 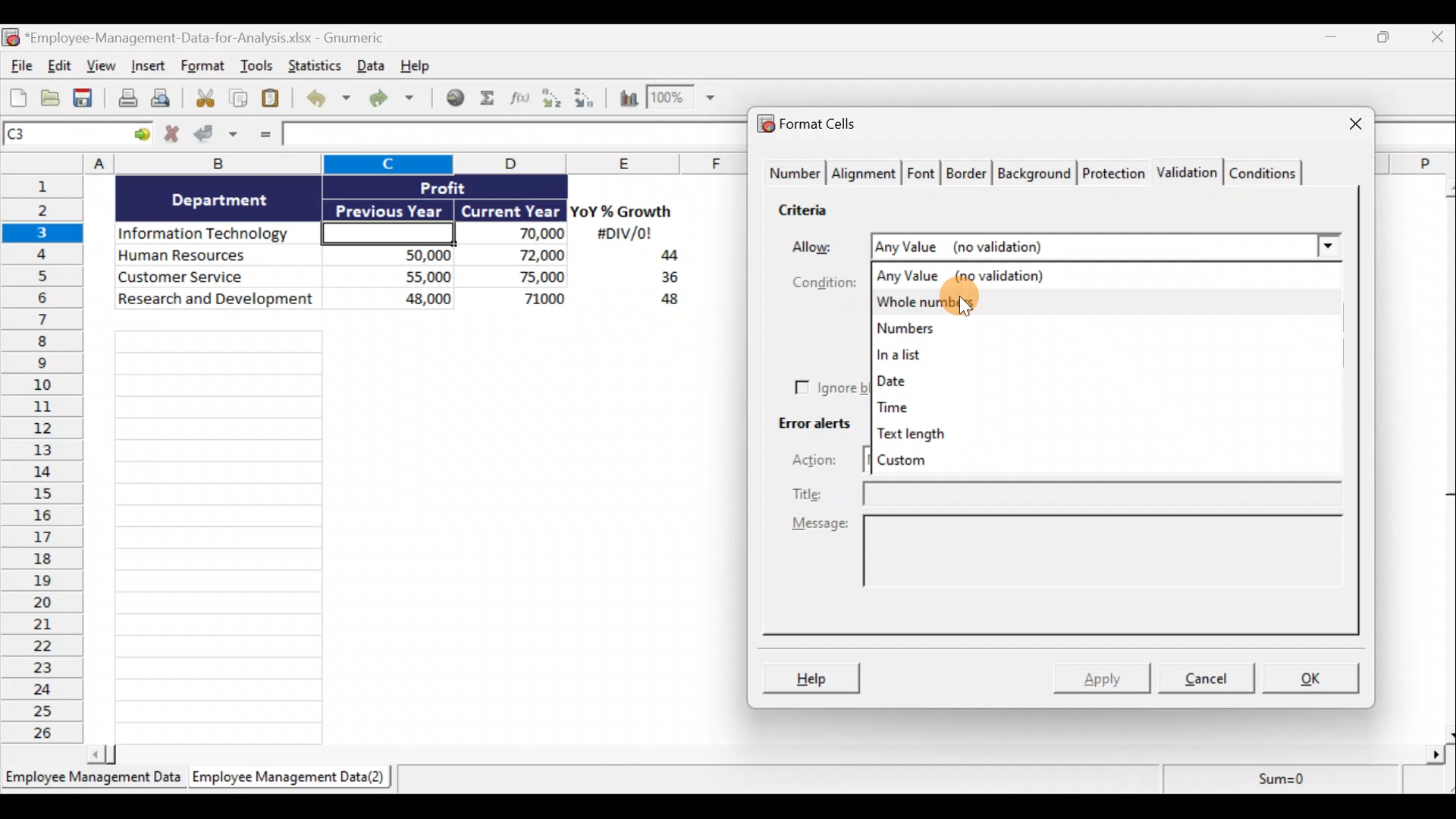 What do you see at coordinates (1212, 680) in the screenshot?
I see `Cancel` at bounding box center [1212, 680].